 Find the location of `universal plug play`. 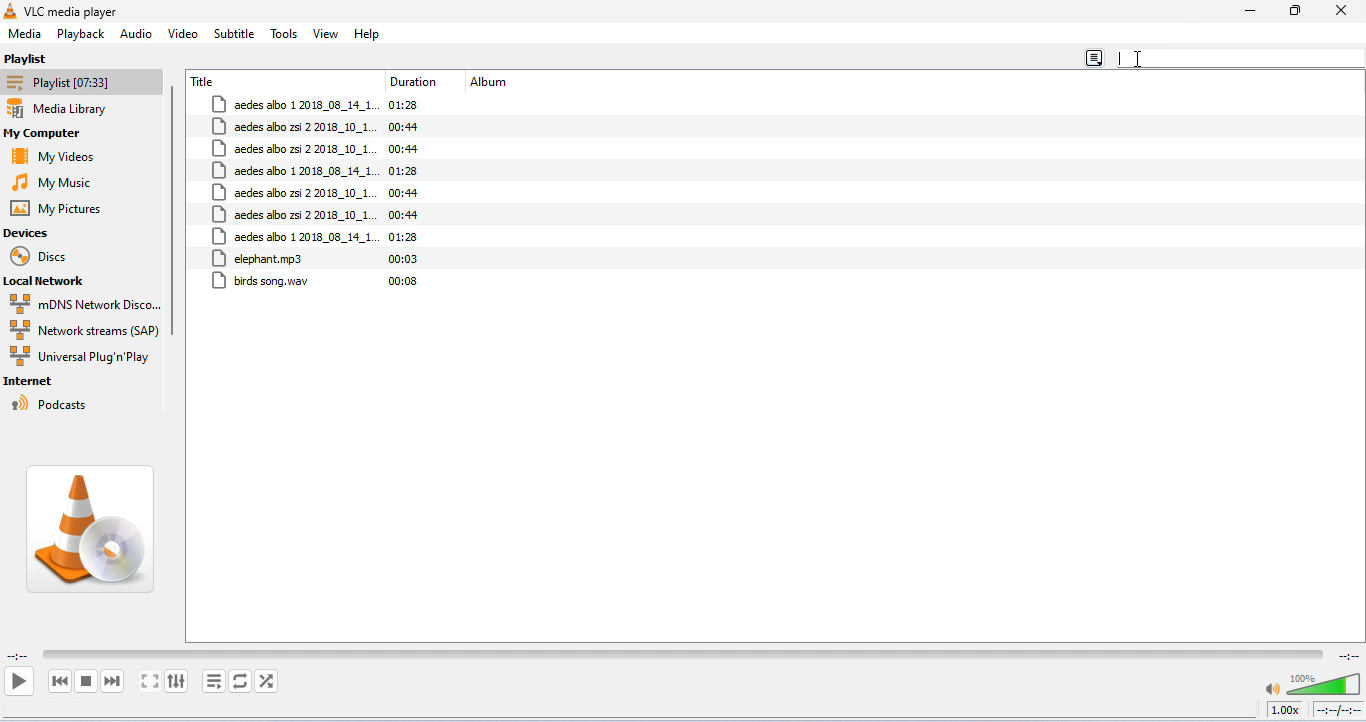

universal plug play is located at coordinates (81, 358).